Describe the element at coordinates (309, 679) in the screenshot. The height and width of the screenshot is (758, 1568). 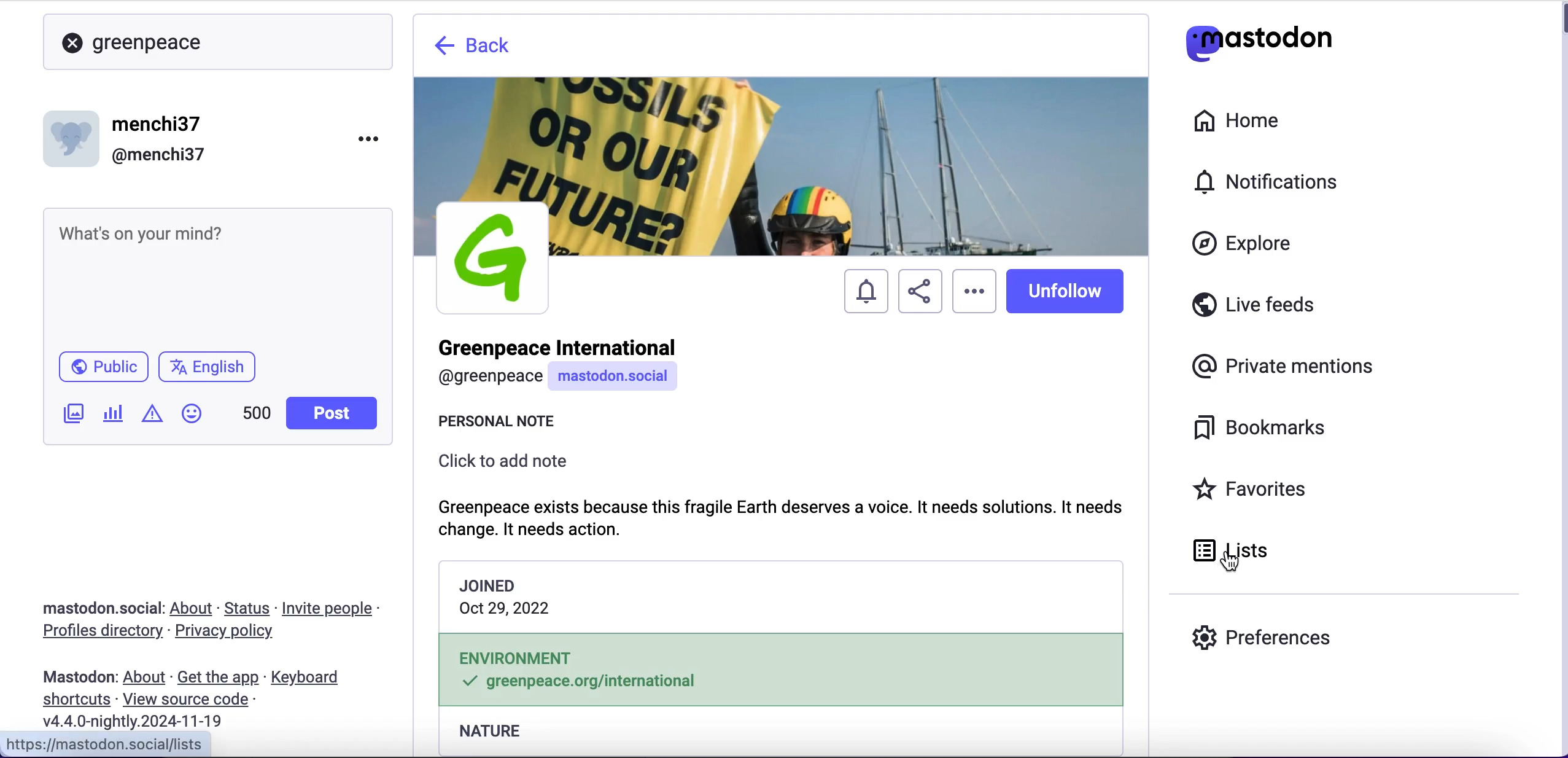
I see `keyboard` at that location.